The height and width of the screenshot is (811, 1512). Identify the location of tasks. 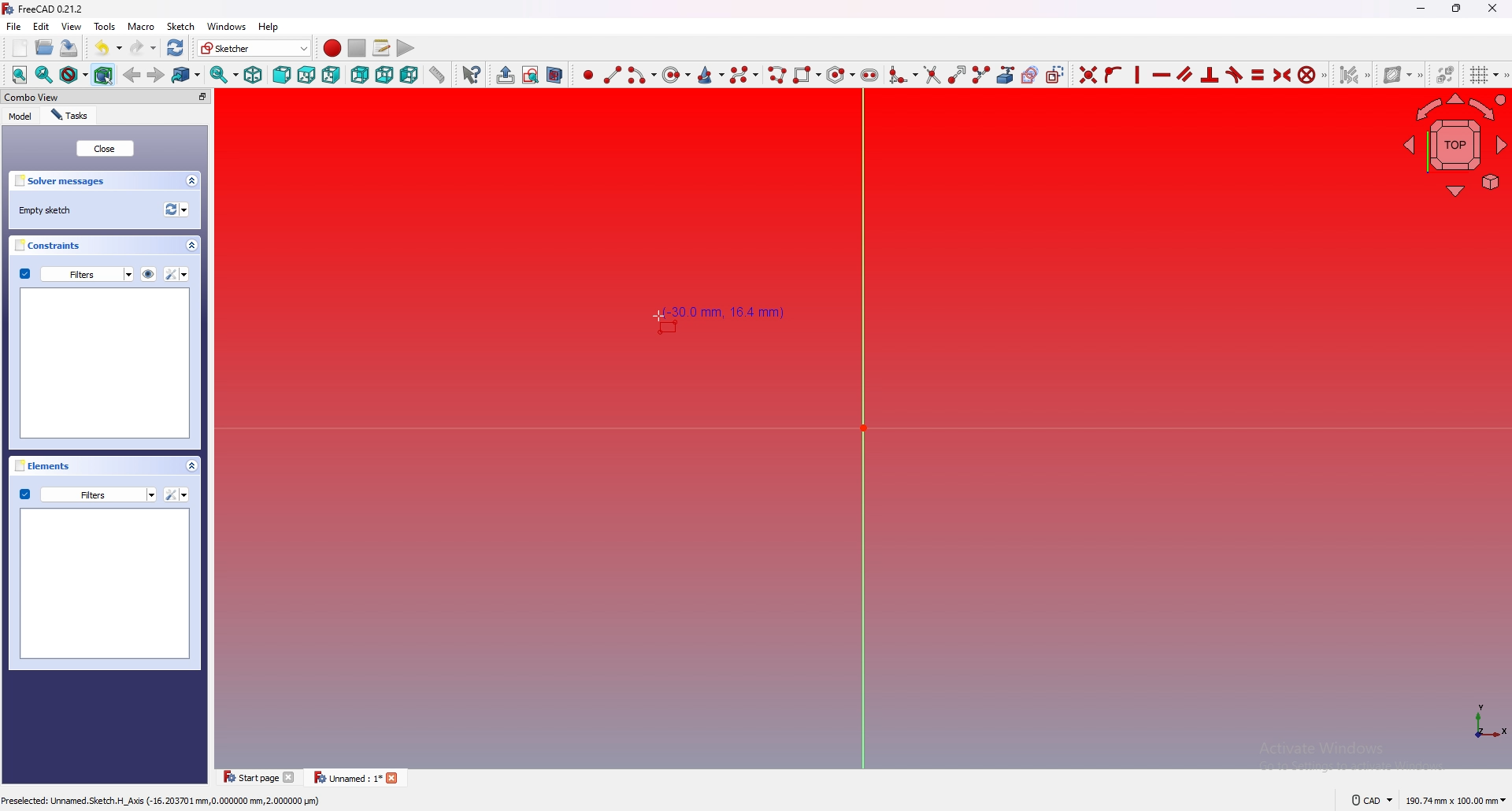
(70, 116).